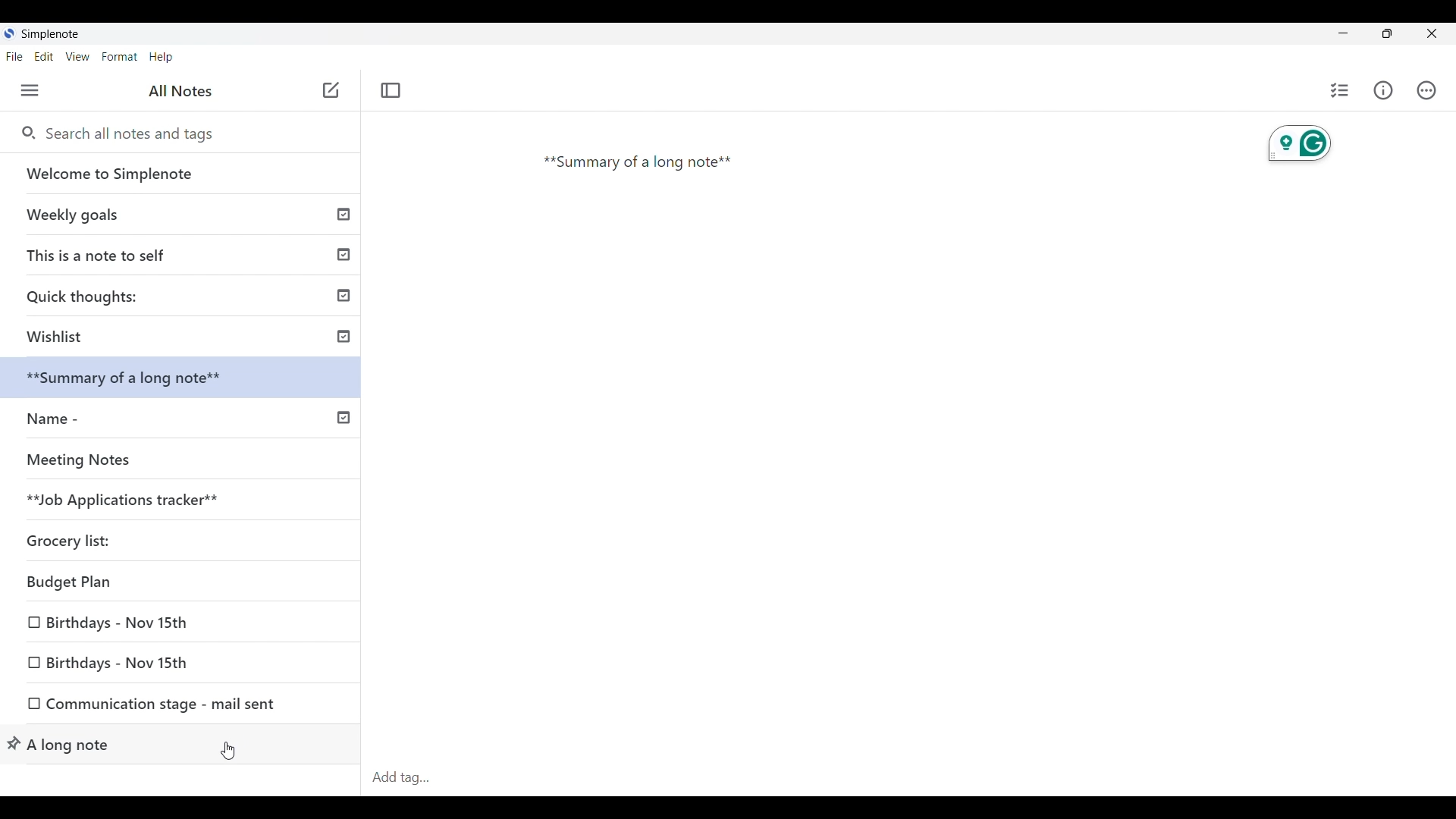 The image size is (1456, 819). Describe the element at coordinates (231, 748) in the screenshot. I see `Cursor` at that location.